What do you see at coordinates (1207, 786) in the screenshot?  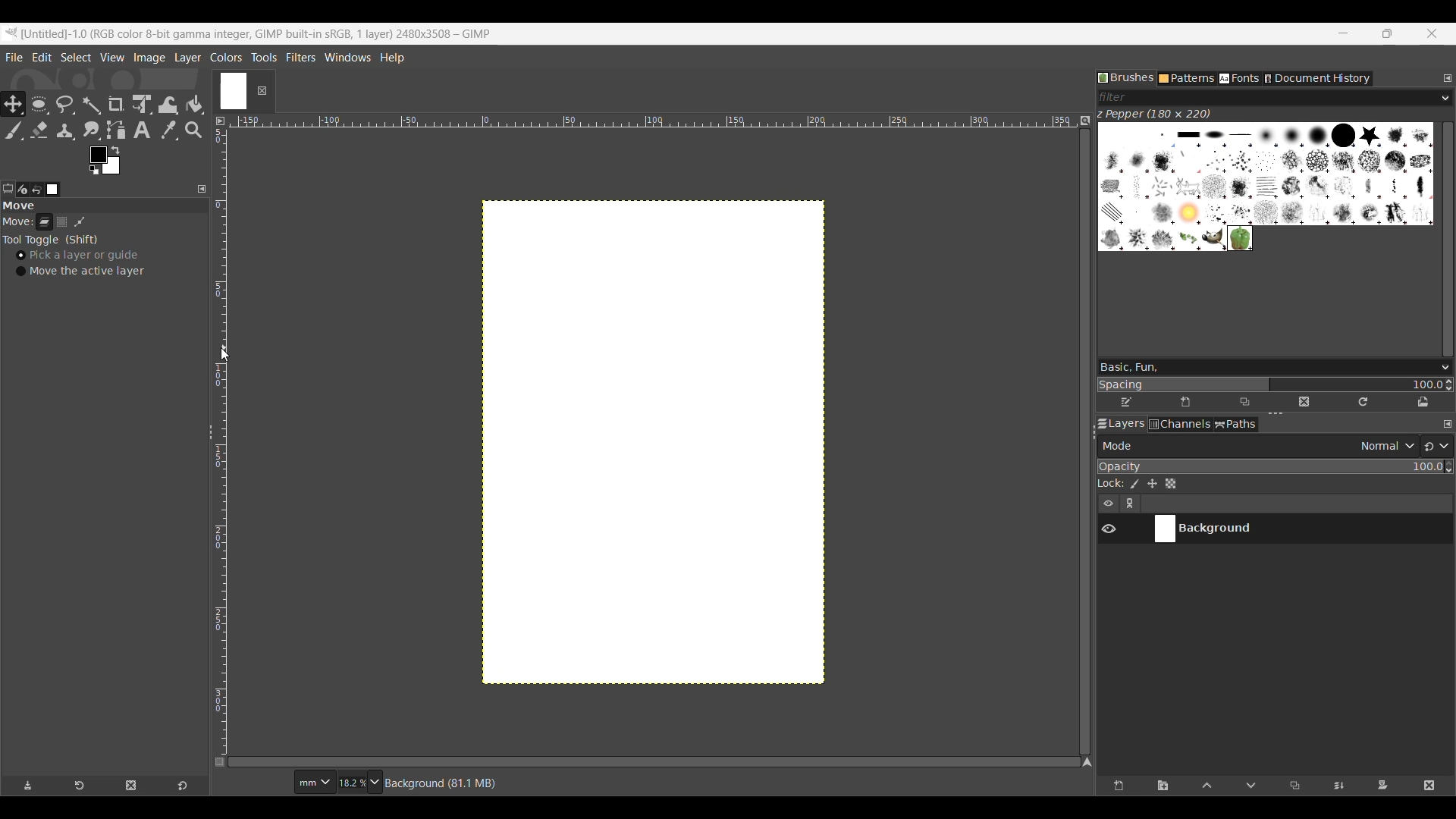 I see `Move layer one step up` at bounding box center [1207, 786].